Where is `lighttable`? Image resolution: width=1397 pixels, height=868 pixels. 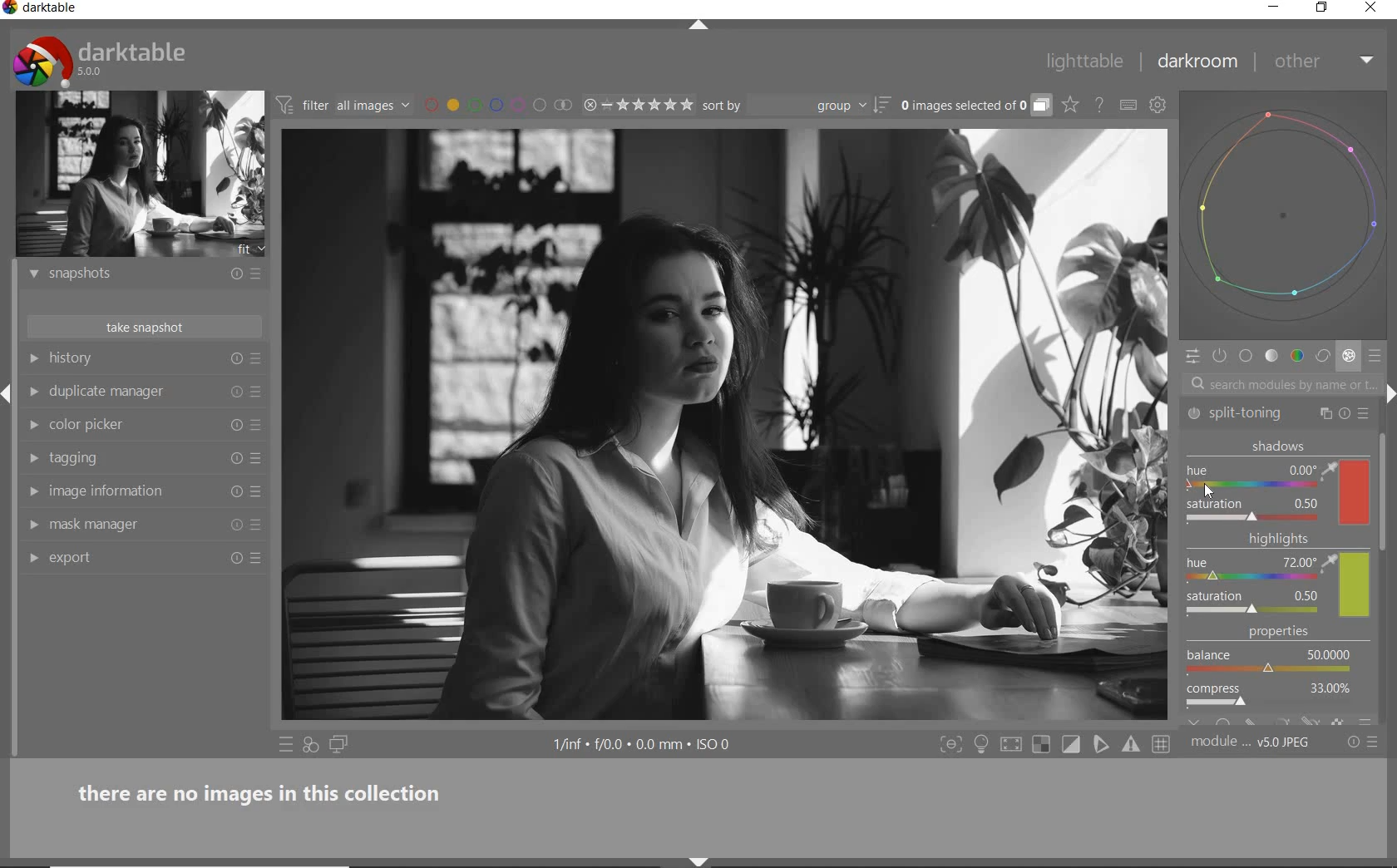 lighttable is located at coordinates (1085, 64).